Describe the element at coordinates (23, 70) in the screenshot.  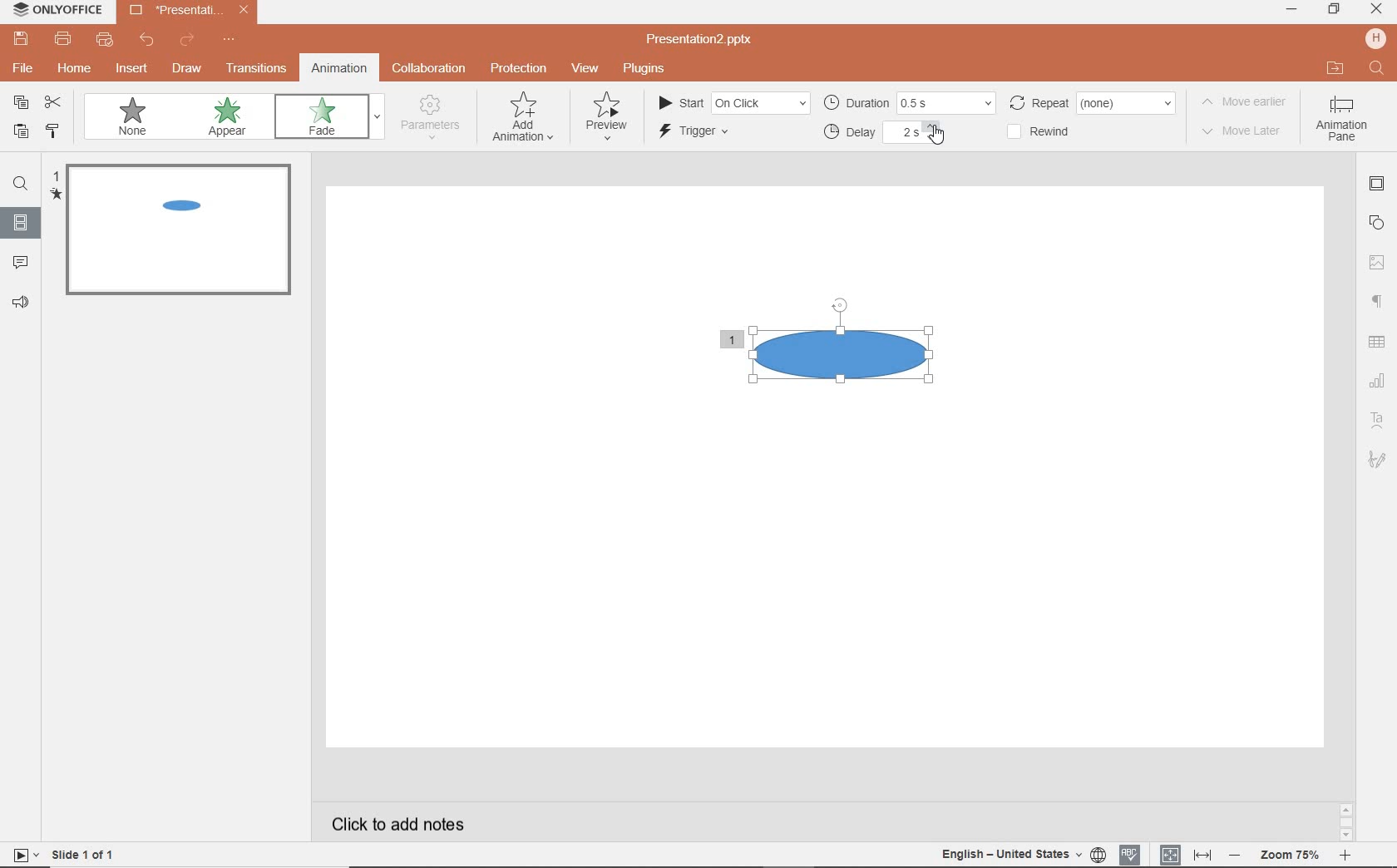
I see `file` at that location.